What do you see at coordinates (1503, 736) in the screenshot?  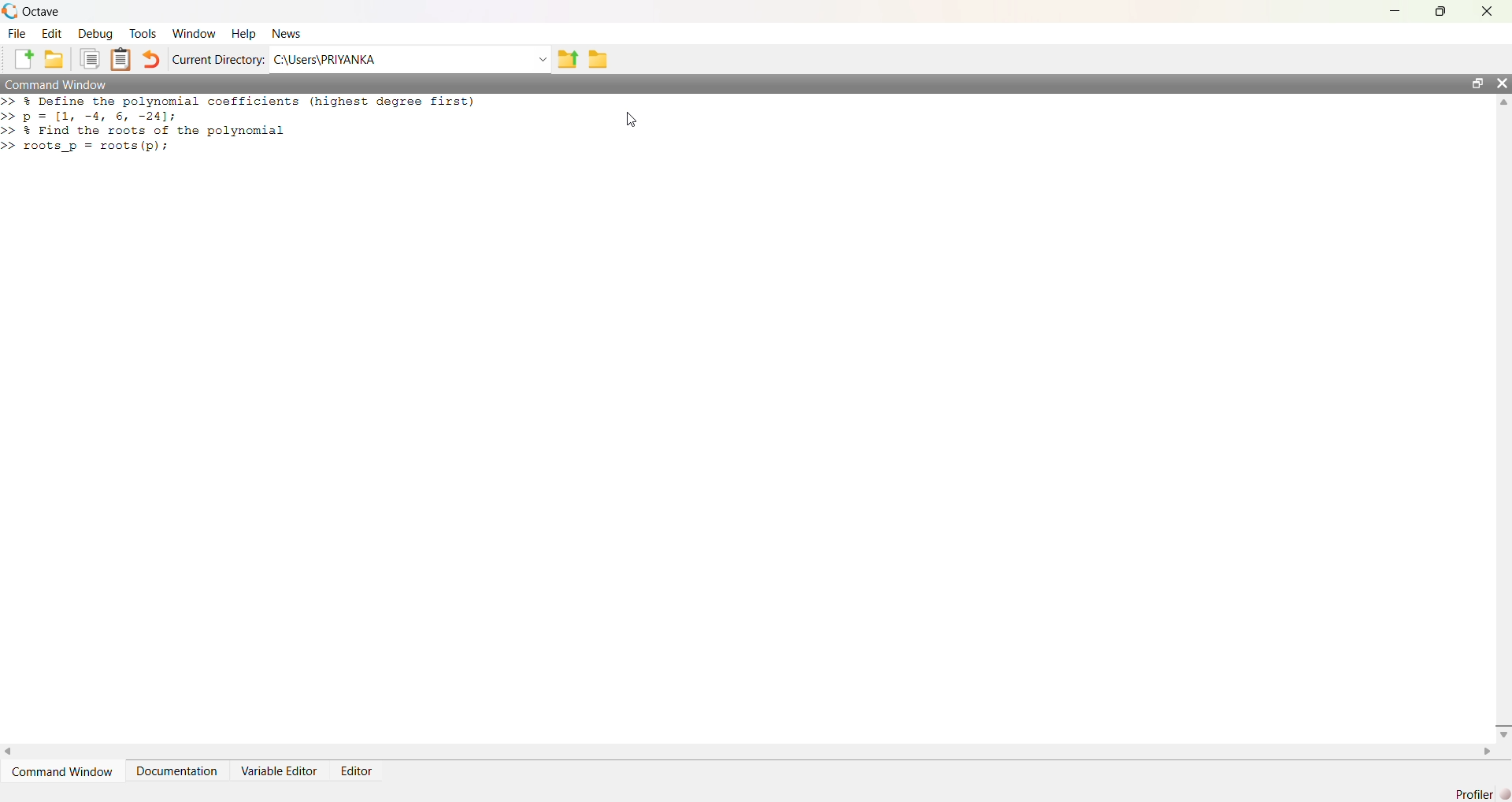 I see `Down Scroll` at bounding box center [1503, 736].